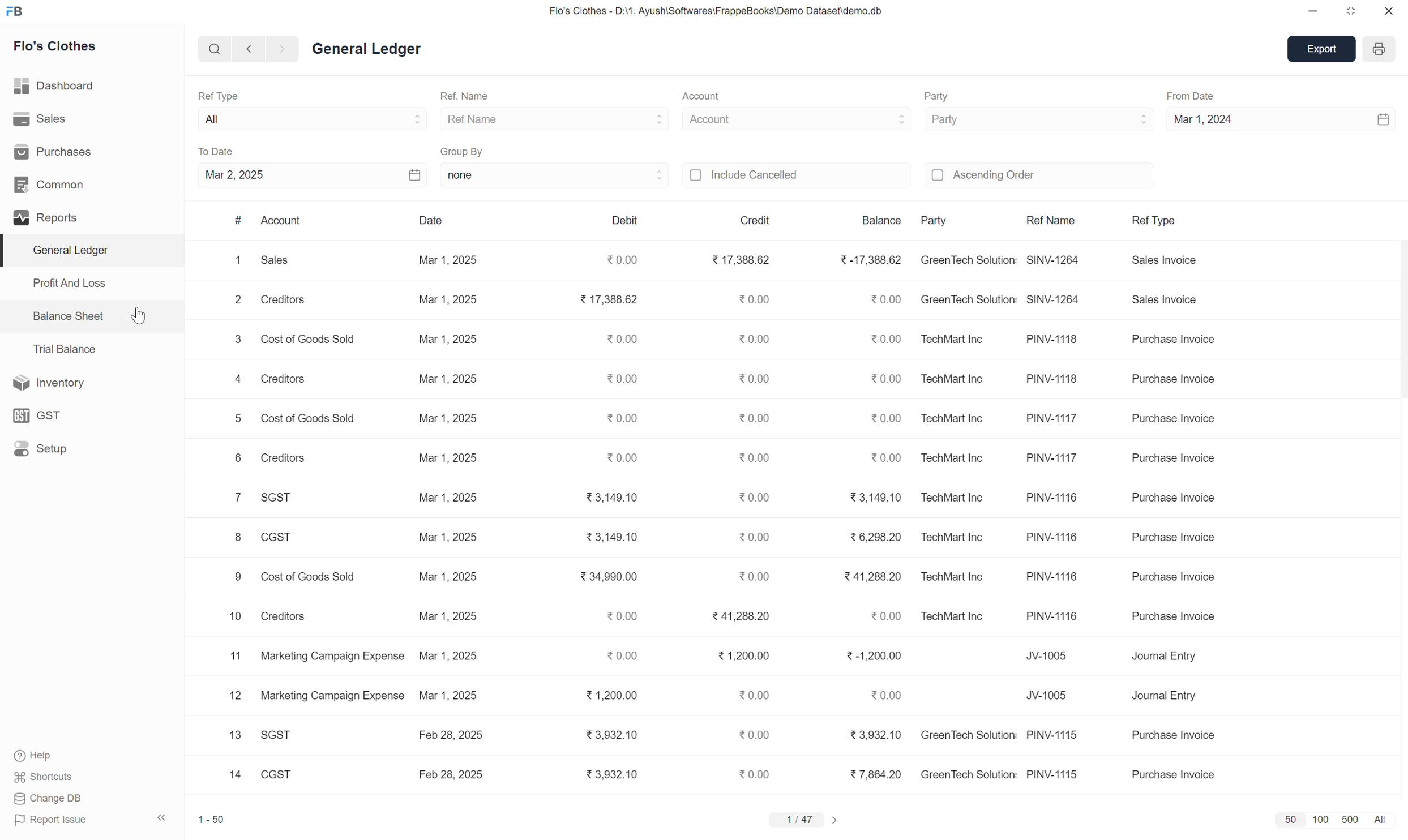 Image resolution: width=1408 pixels, height=840 pixels. I want to click on Balance, so click(872, 221).